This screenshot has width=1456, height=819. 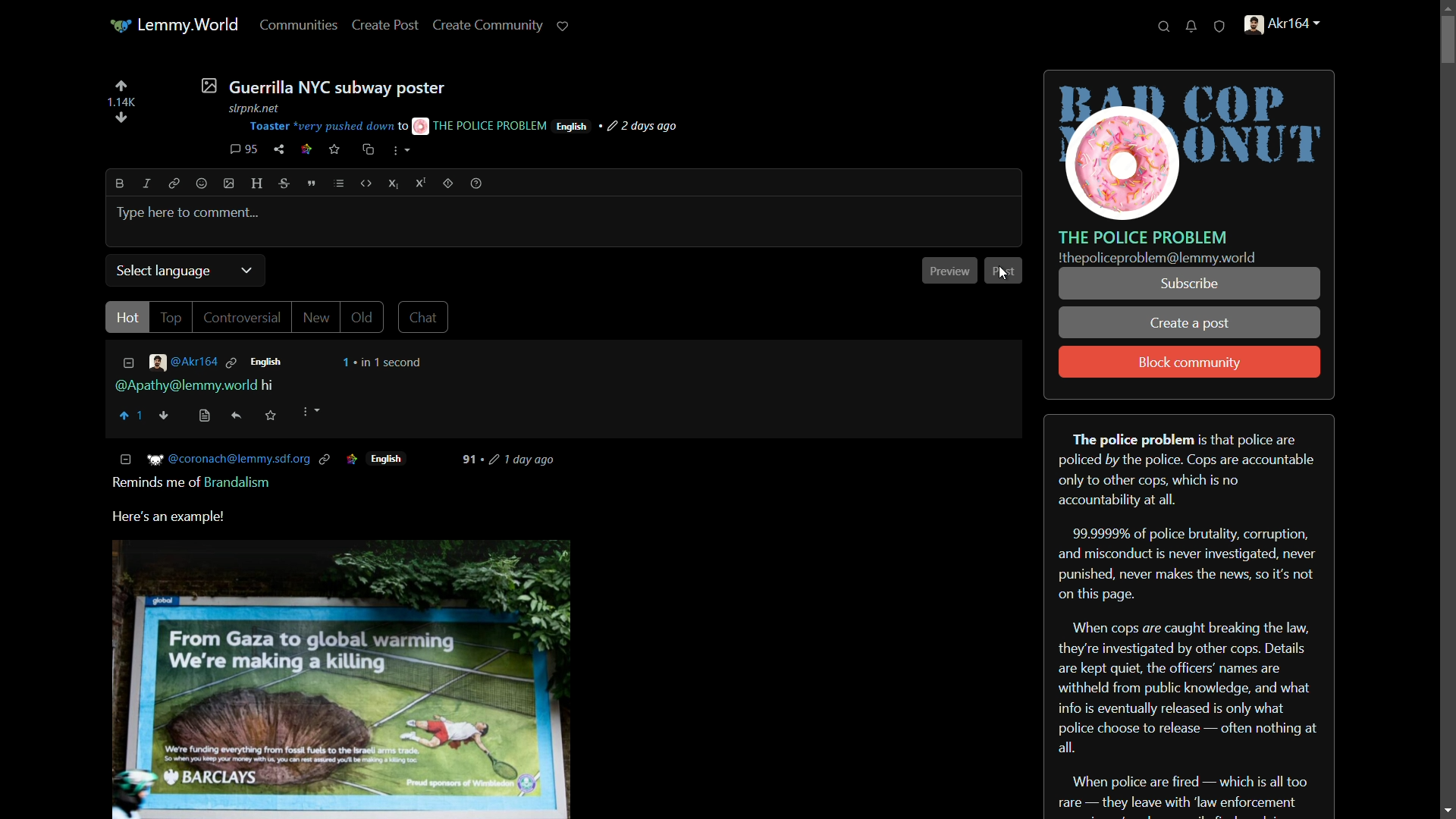 I want to click on TOP, so click(x=173, y=318).